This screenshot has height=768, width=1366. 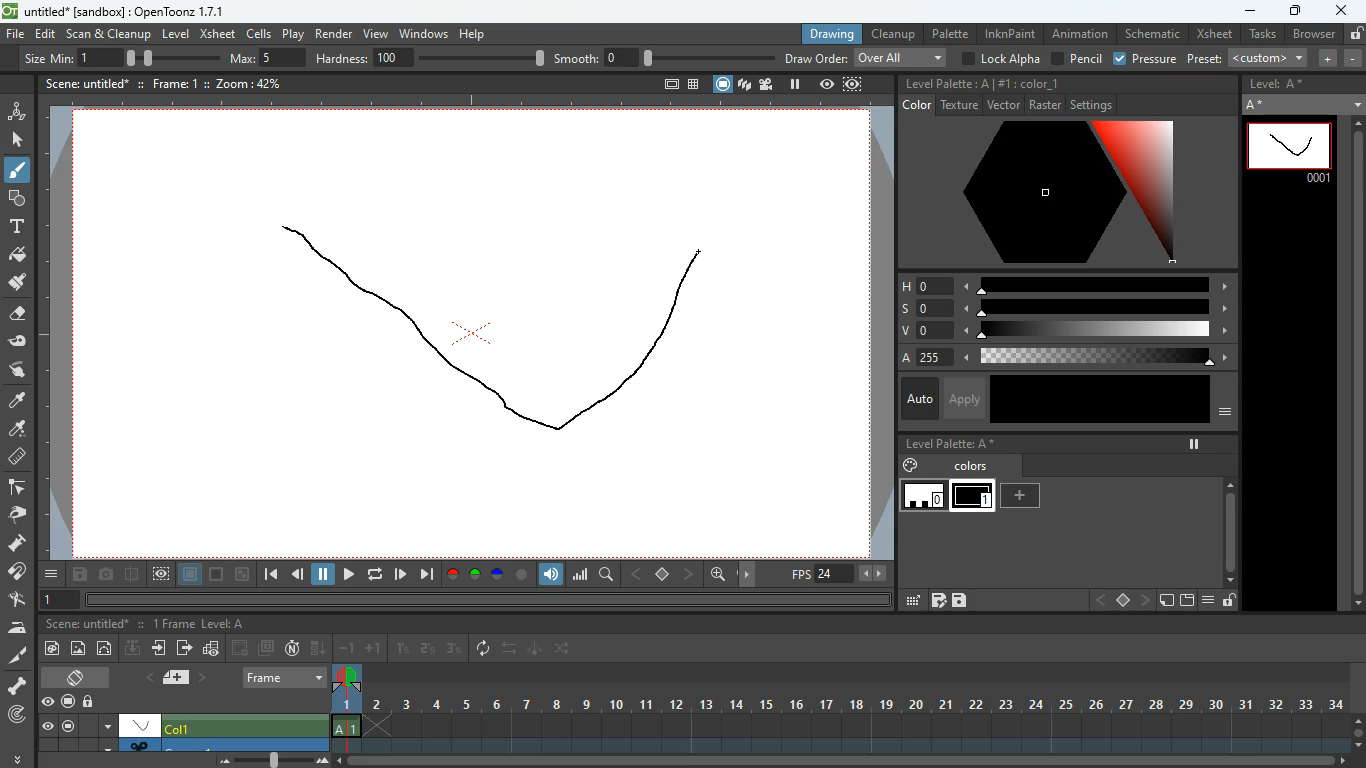 What do you see at coordinates (723, 84) in the screenshot?
I see `screen` at bounding box center [723, 84].